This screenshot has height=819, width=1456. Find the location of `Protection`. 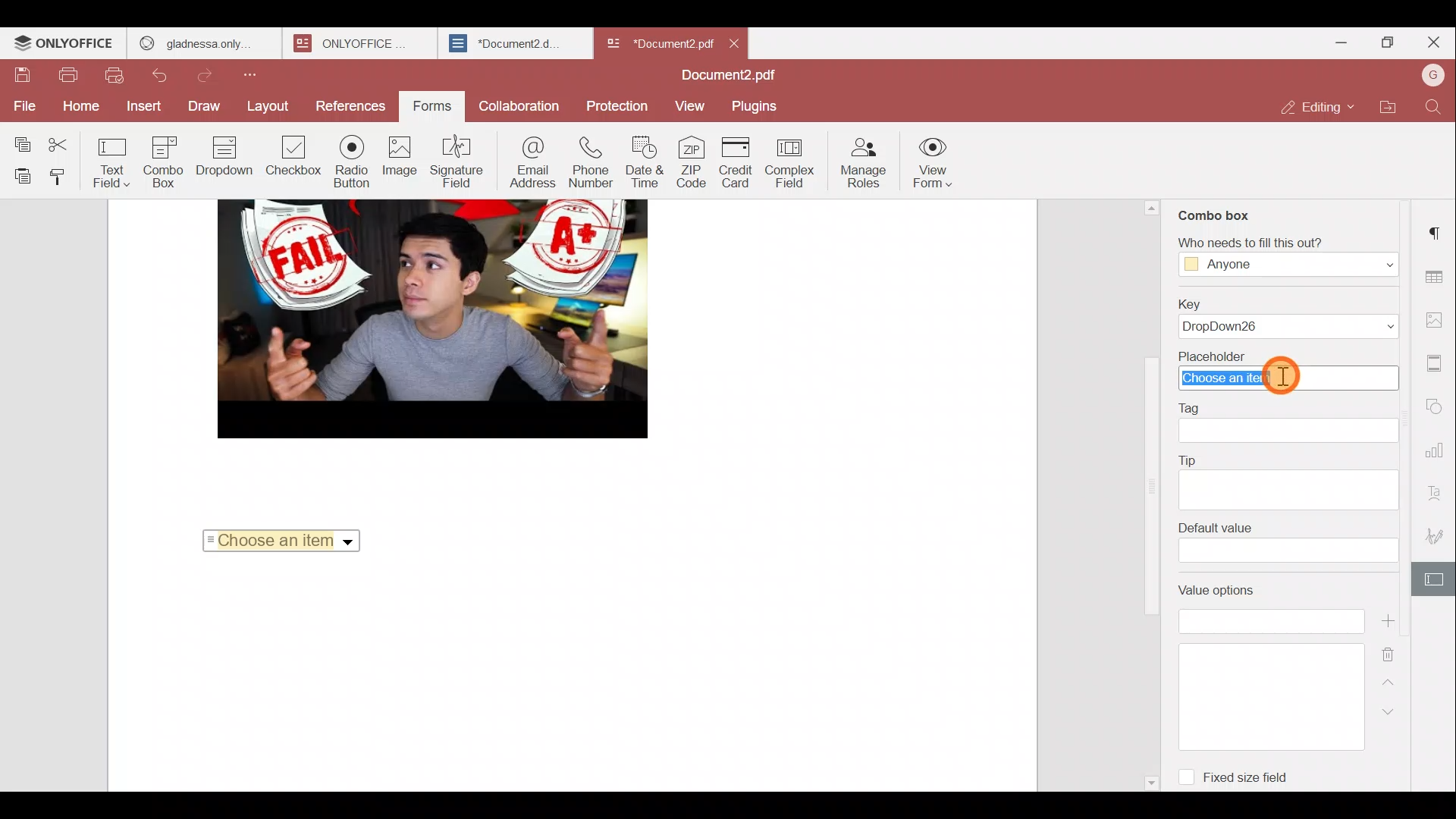

Protection is located at coordinates (616, 103).